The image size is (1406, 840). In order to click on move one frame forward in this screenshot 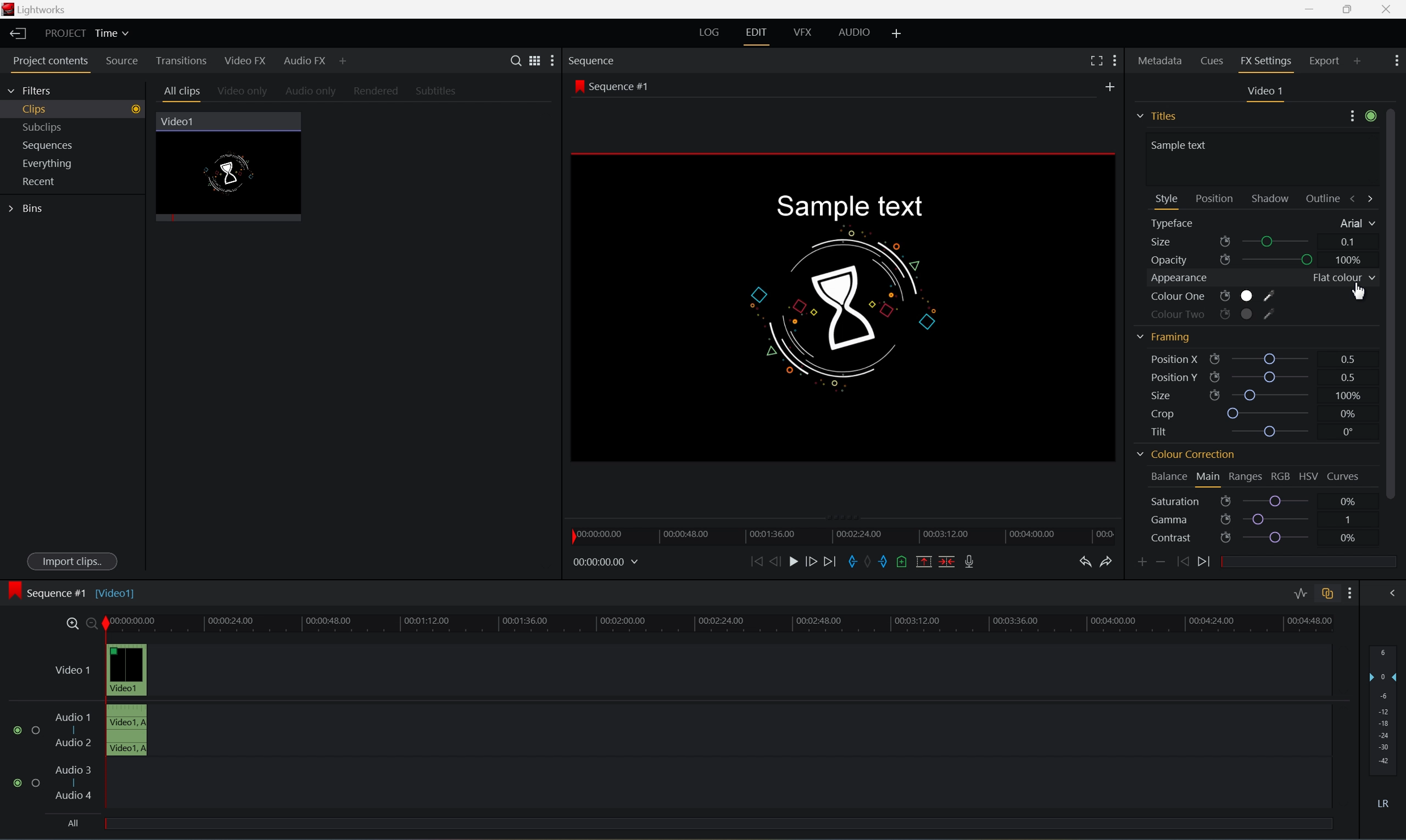, I will do `click(816, 562)`.